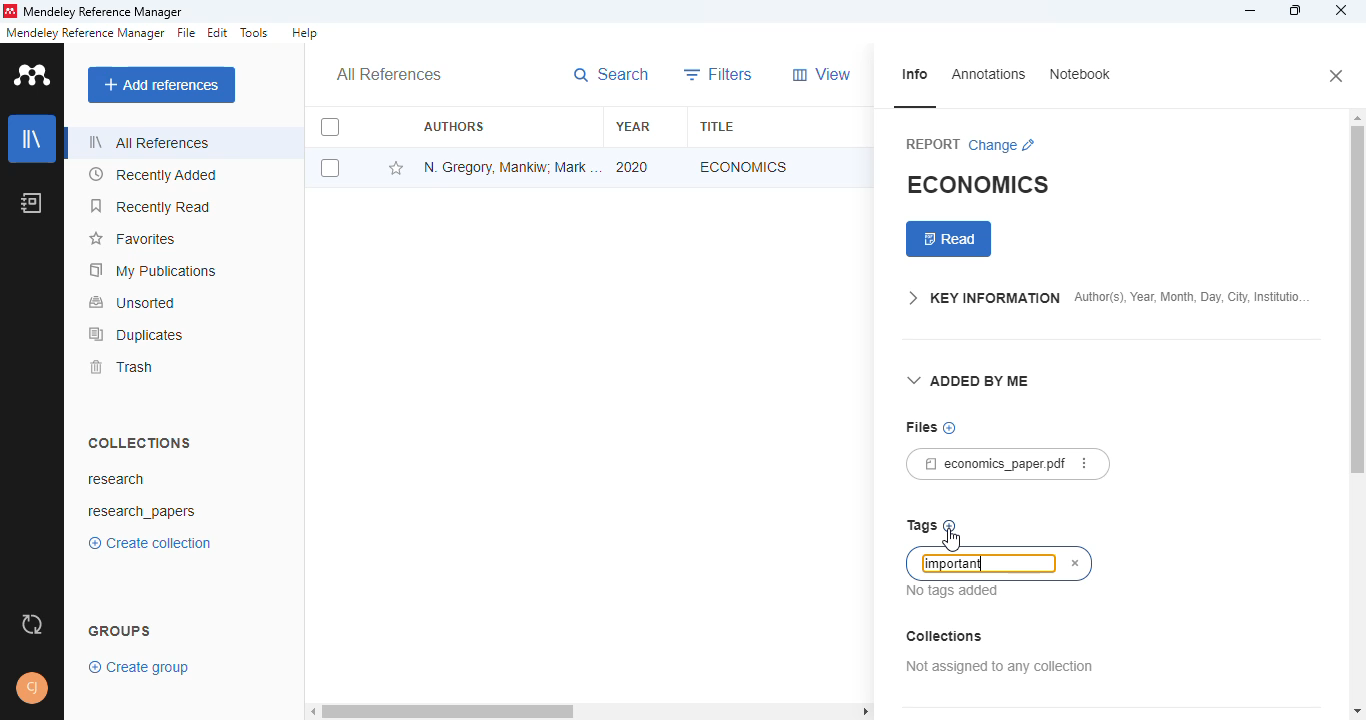 The image size is (1366, 720). What do you see at coordinates (1076, 564) in the screenshot?
I see `cancel` at bounding box center [1076, 564].